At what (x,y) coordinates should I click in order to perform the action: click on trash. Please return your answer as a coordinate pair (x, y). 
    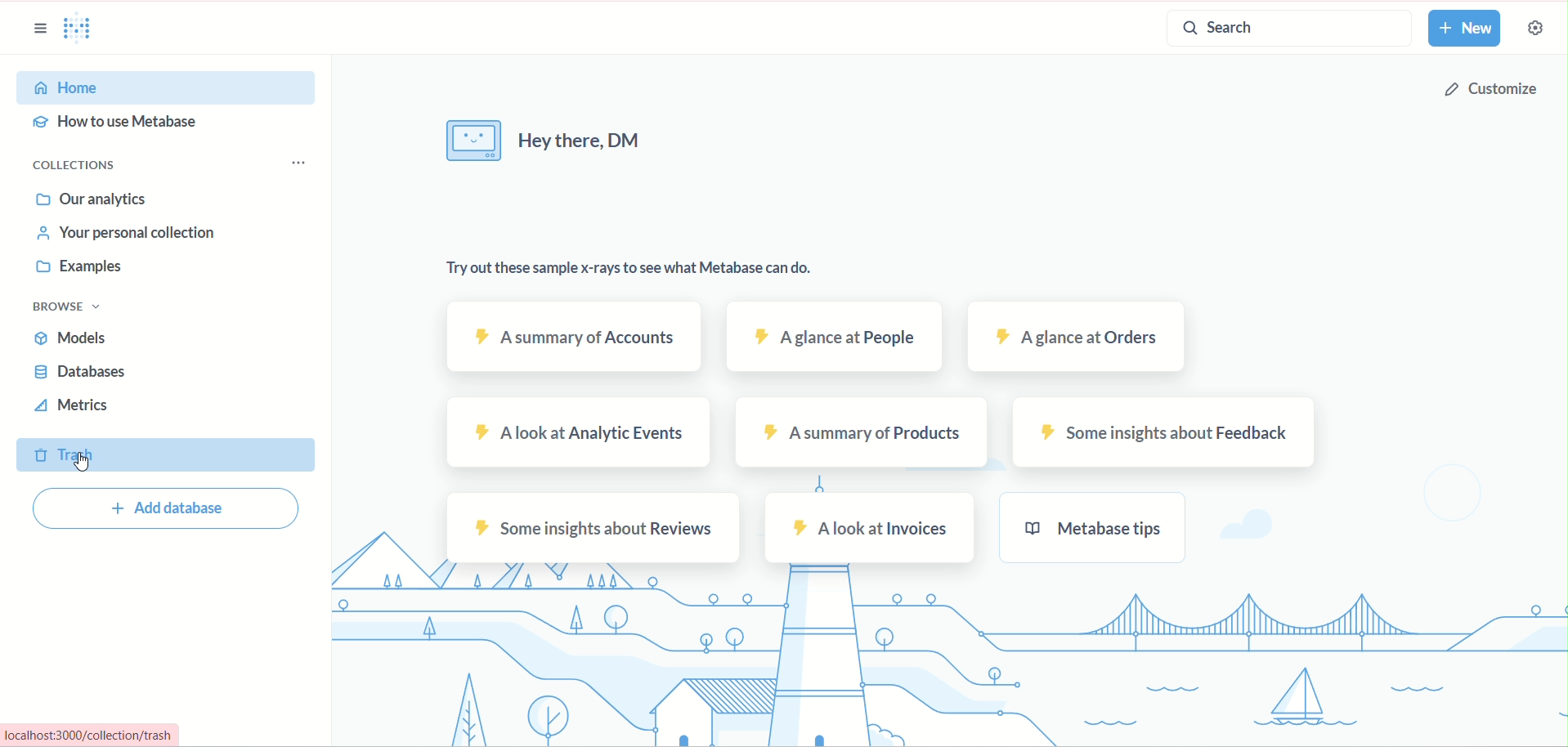
    Looking at the image, I should click on (164, 454).